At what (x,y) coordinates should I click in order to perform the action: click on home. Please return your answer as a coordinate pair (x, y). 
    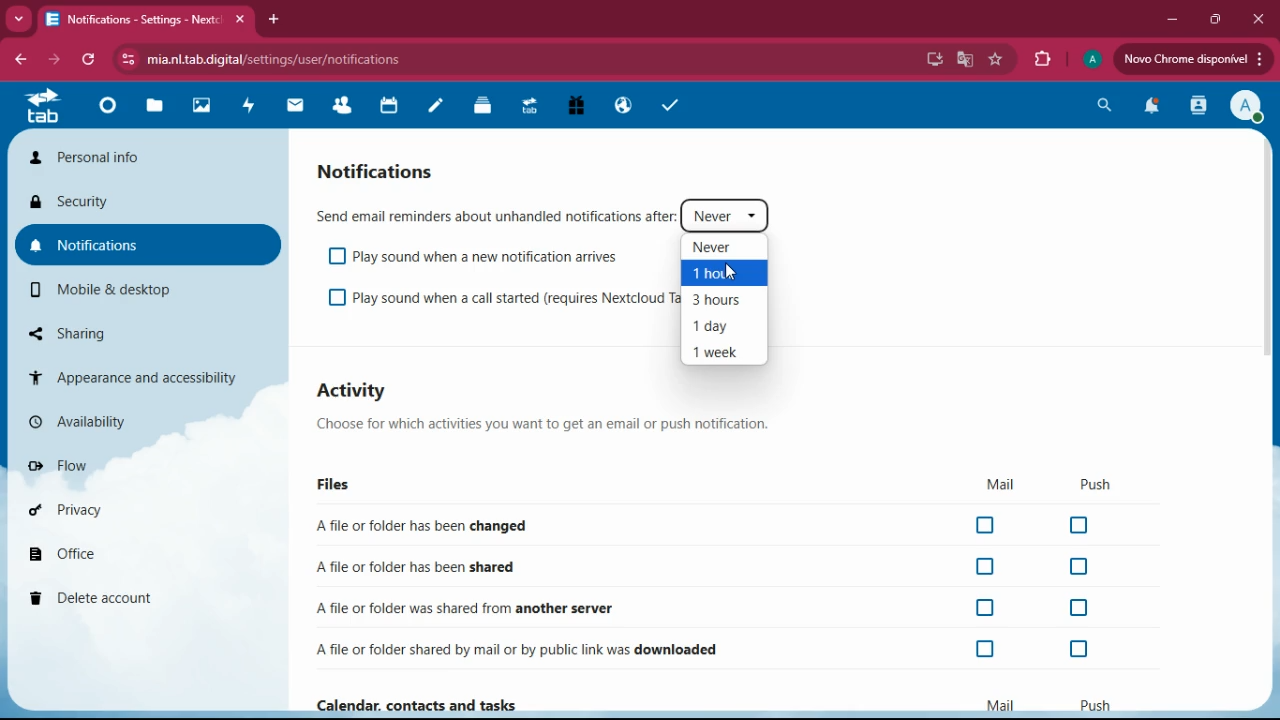
    Looking at the image, I should click on (110, 107).